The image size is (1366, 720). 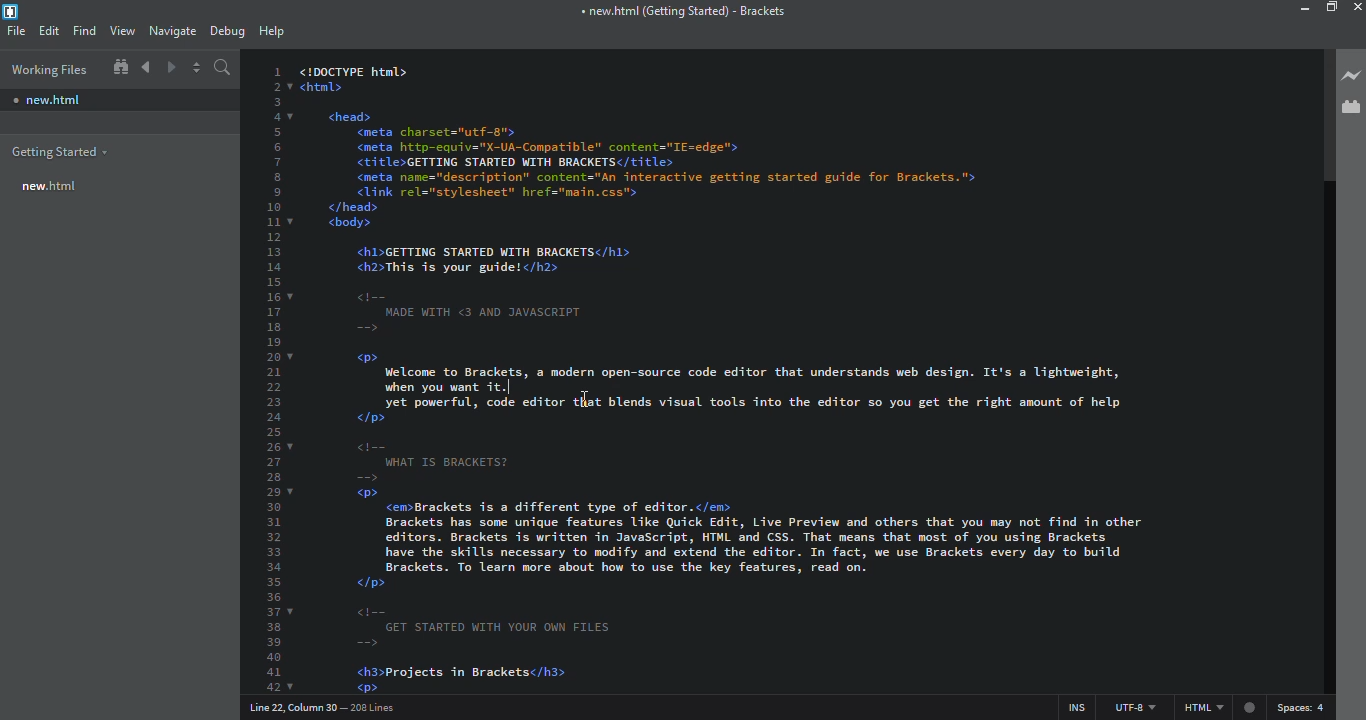 I want to click on spaces, so click(x=1311, y=706).